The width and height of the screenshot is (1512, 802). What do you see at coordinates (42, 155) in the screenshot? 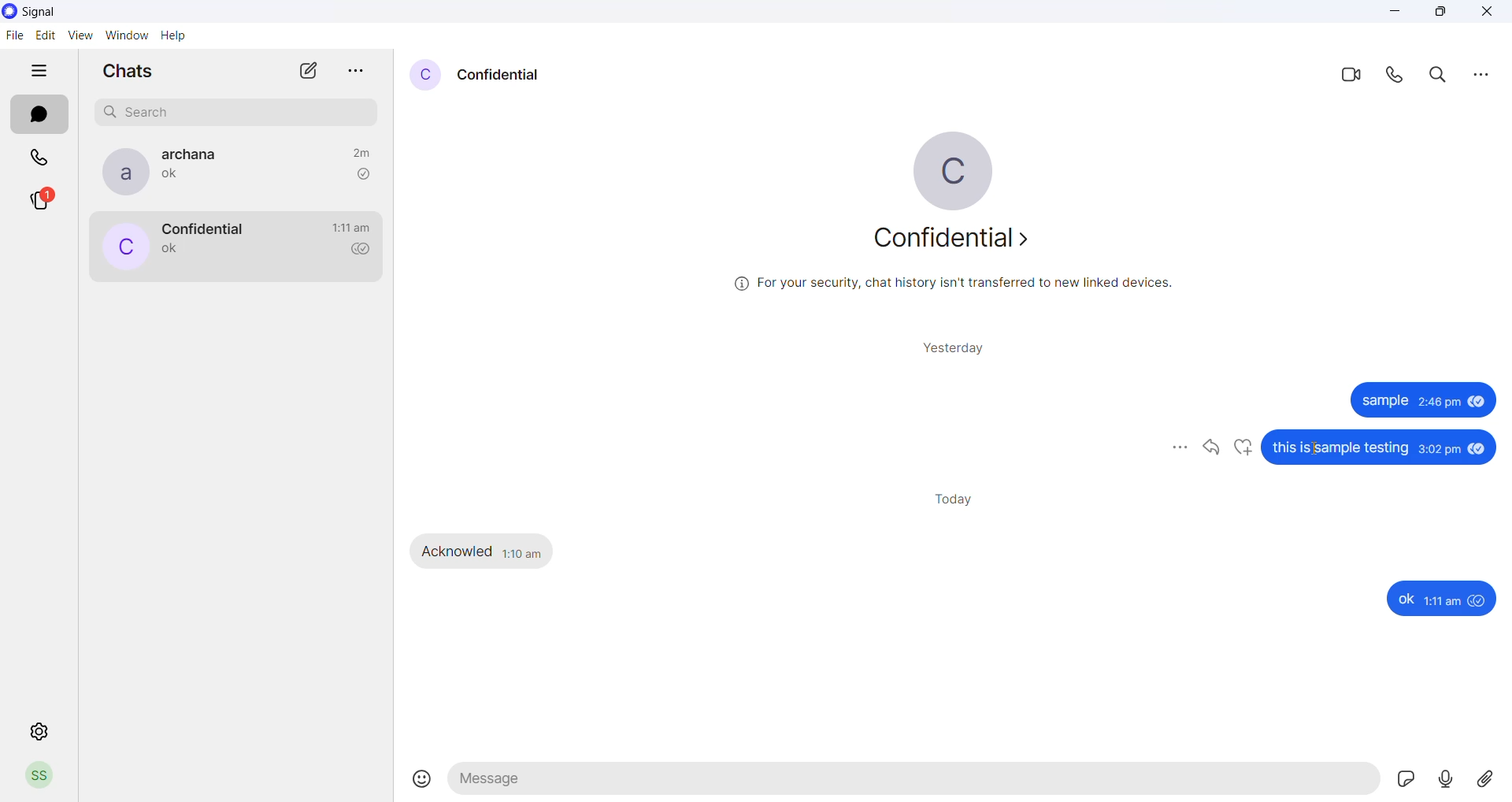
I see `calls` at bounding box center [42, 155].